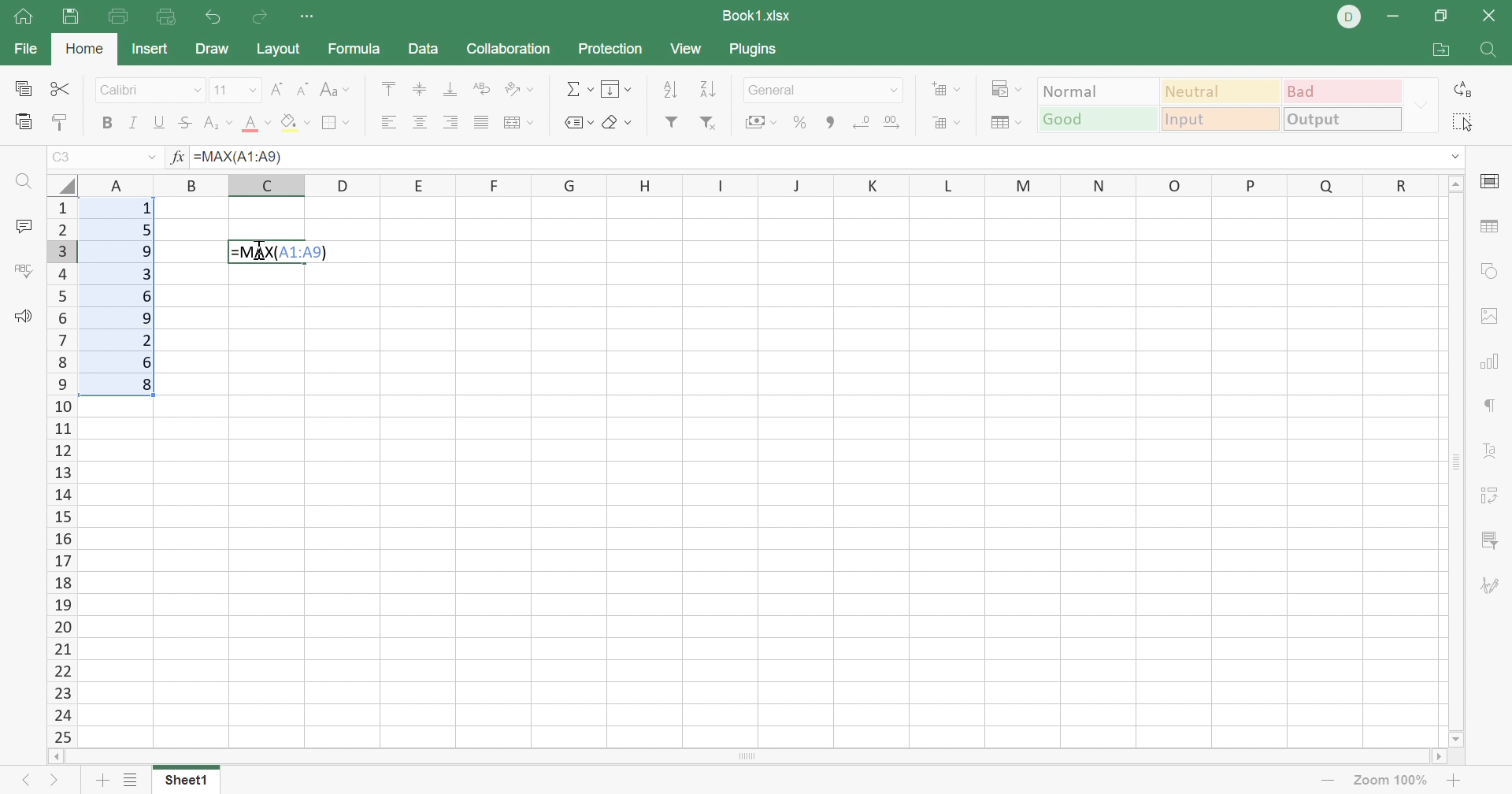 The height and width of the screenshot is (794, 1512). What do you see at coordinates (145, 233) in the screenshot?
I see `5` at bounding box center [145, 233].